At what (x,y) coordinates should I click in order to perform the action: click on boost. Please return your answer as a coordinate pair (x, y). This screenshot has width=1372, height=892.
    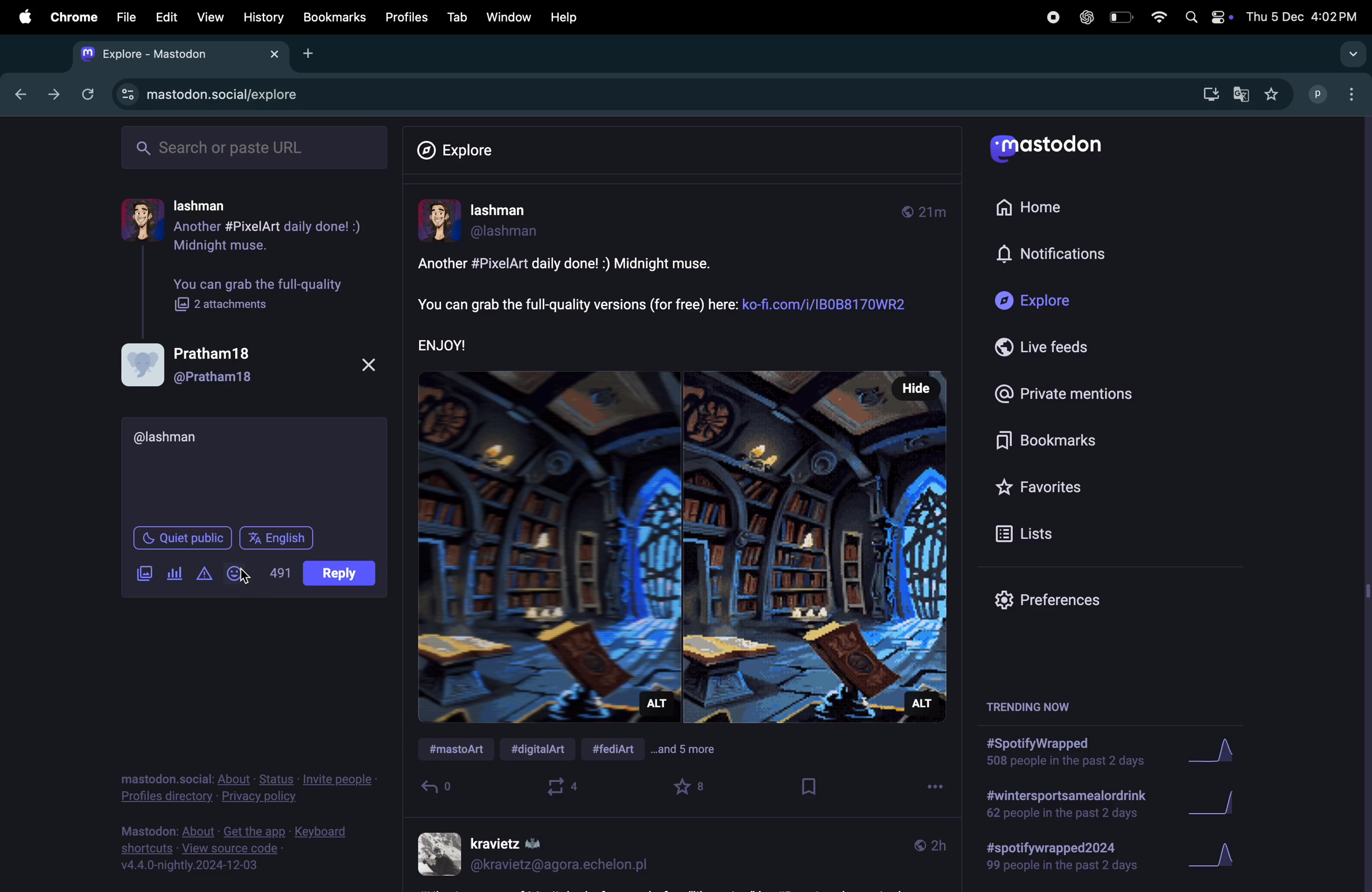
    Looking at the image, I should click on (566, 788).